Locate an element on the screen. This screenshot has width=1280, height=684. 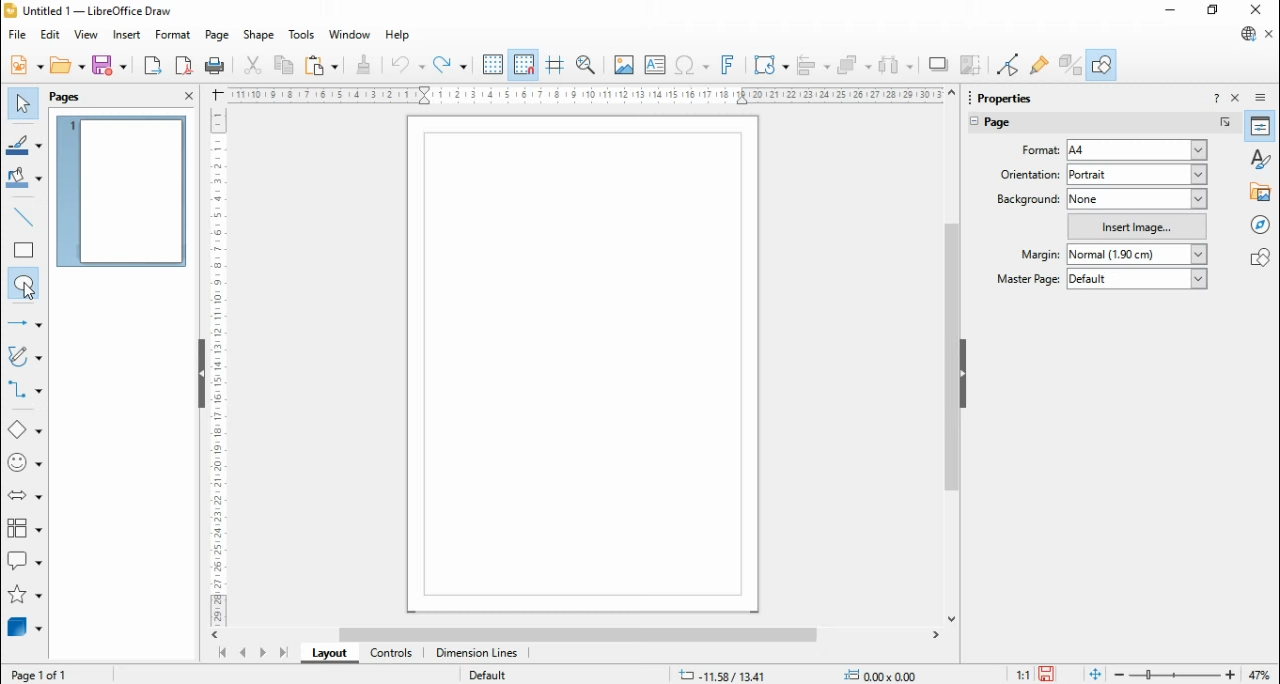
close windo is located at coordinates (1259, 11).